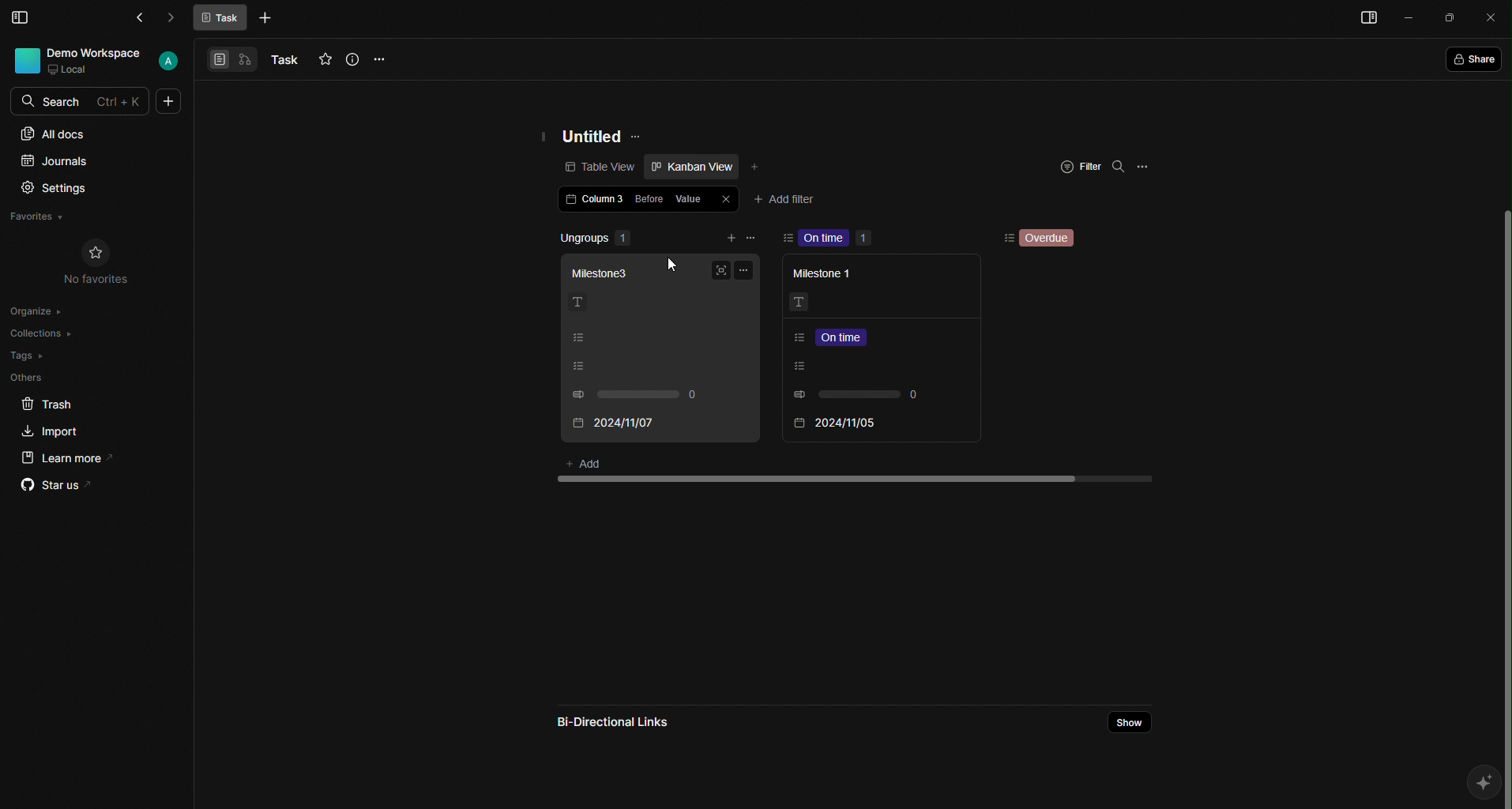  What do you see at coordinates (1486, 785) in the screenshot?
I see `AI` at bounding box center [1486, 785].